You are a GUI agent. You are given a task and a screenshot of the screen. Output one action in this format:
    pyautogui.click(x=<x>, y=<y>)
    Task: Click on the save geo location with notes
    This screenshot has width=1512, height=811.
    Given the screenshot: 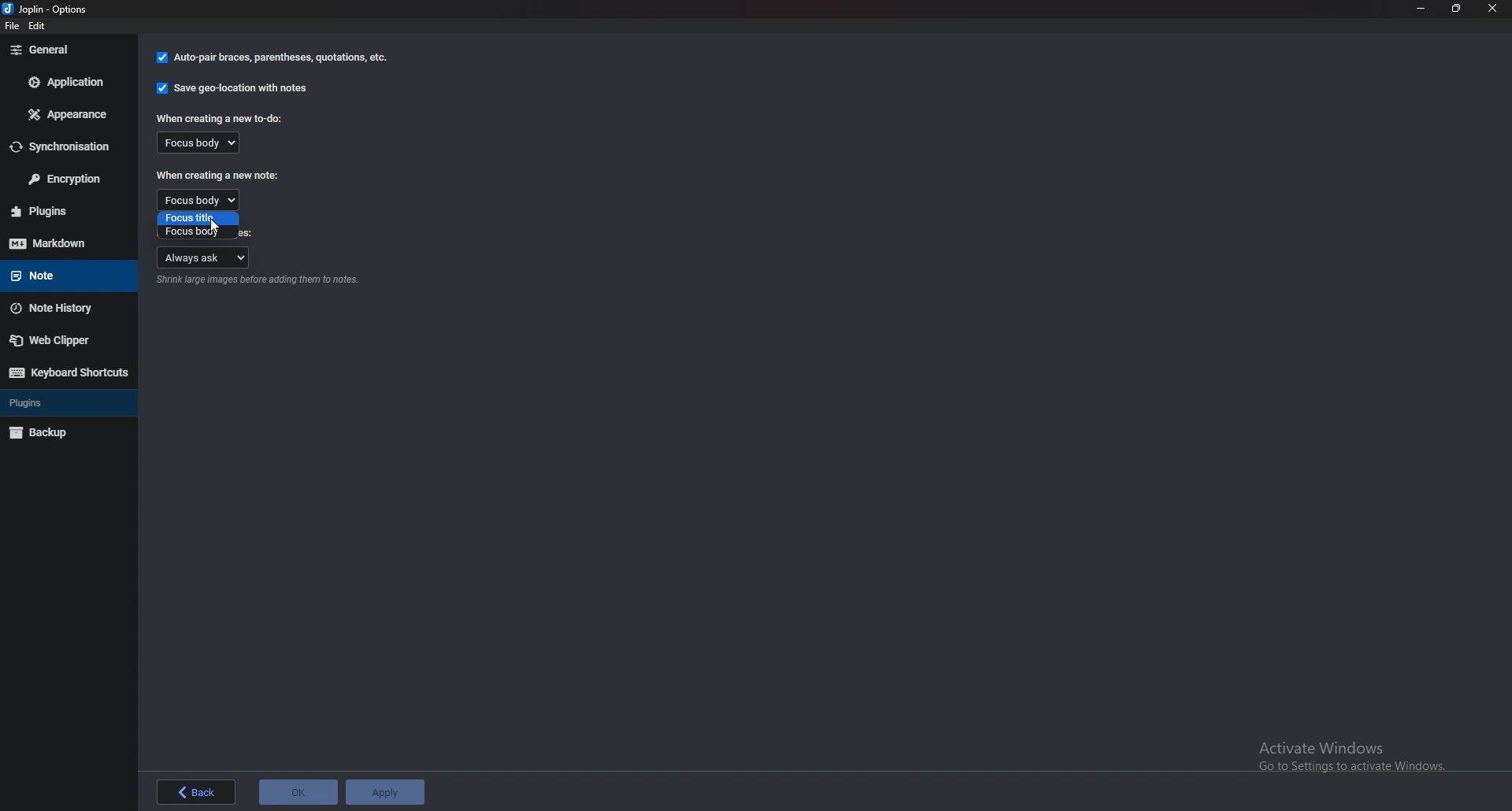 What is the action you would take?
    pyautogui.click(x=234, y=88)
    